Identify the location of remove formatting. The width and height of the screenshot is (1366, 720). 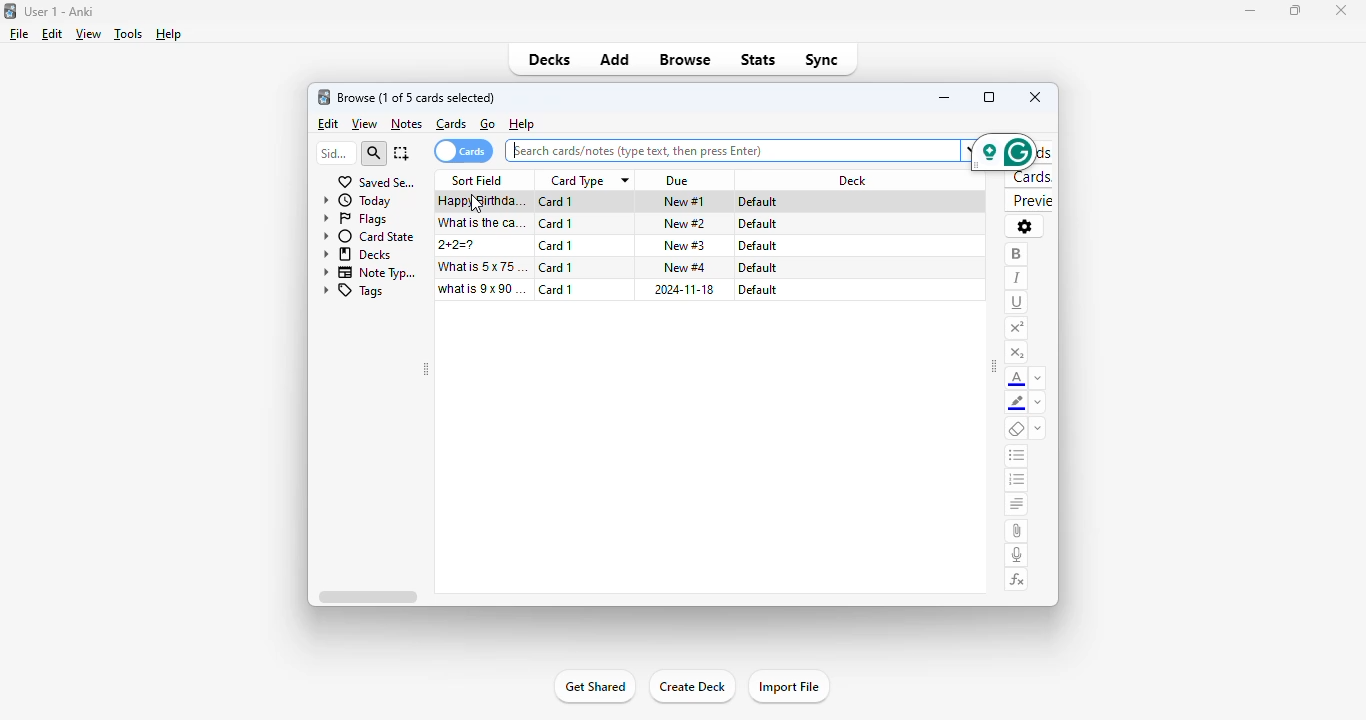
(1016, 428).